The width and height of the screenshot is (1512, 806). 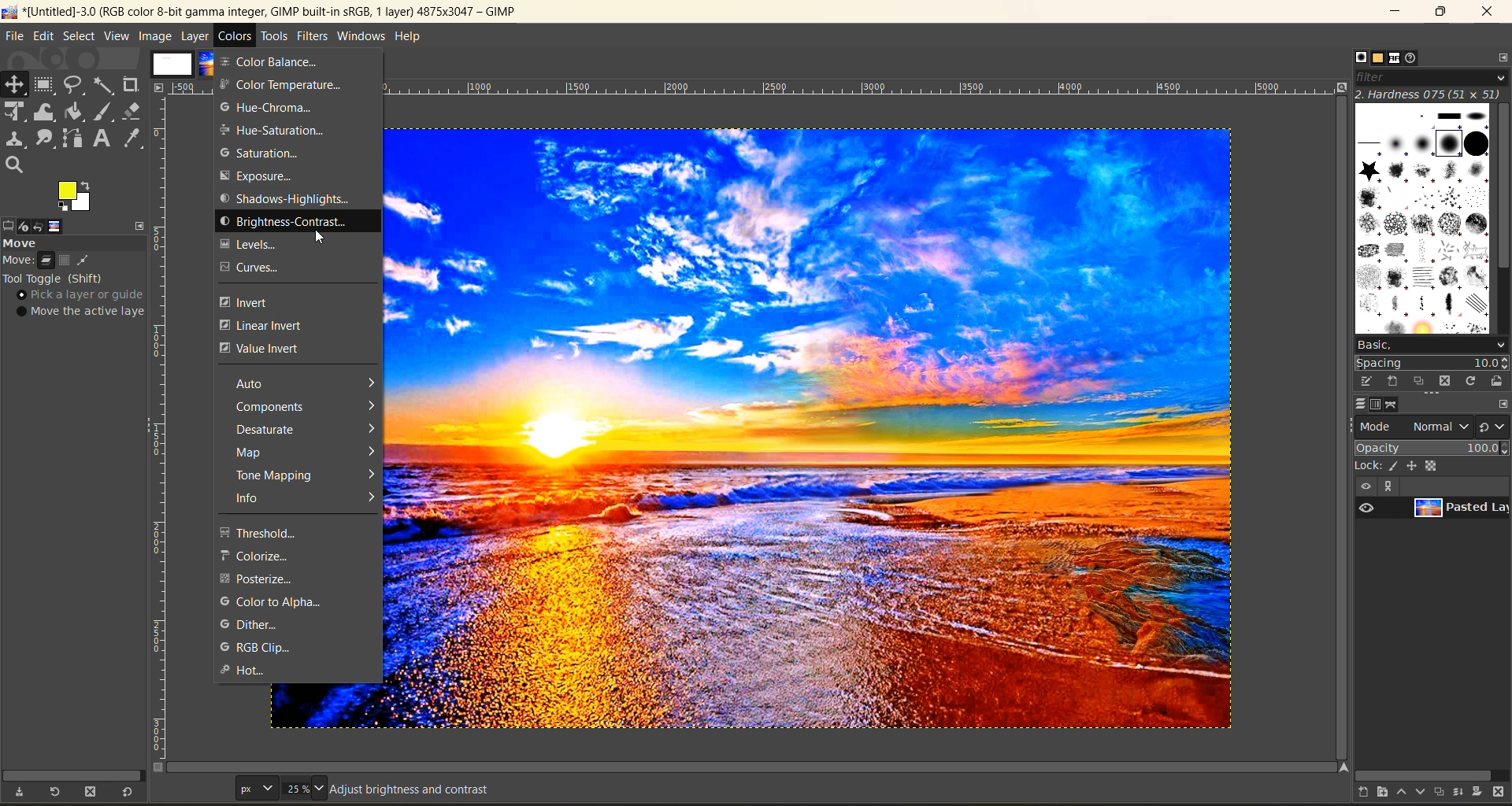 I want to click on minimize, so click(x=1393, y=12).